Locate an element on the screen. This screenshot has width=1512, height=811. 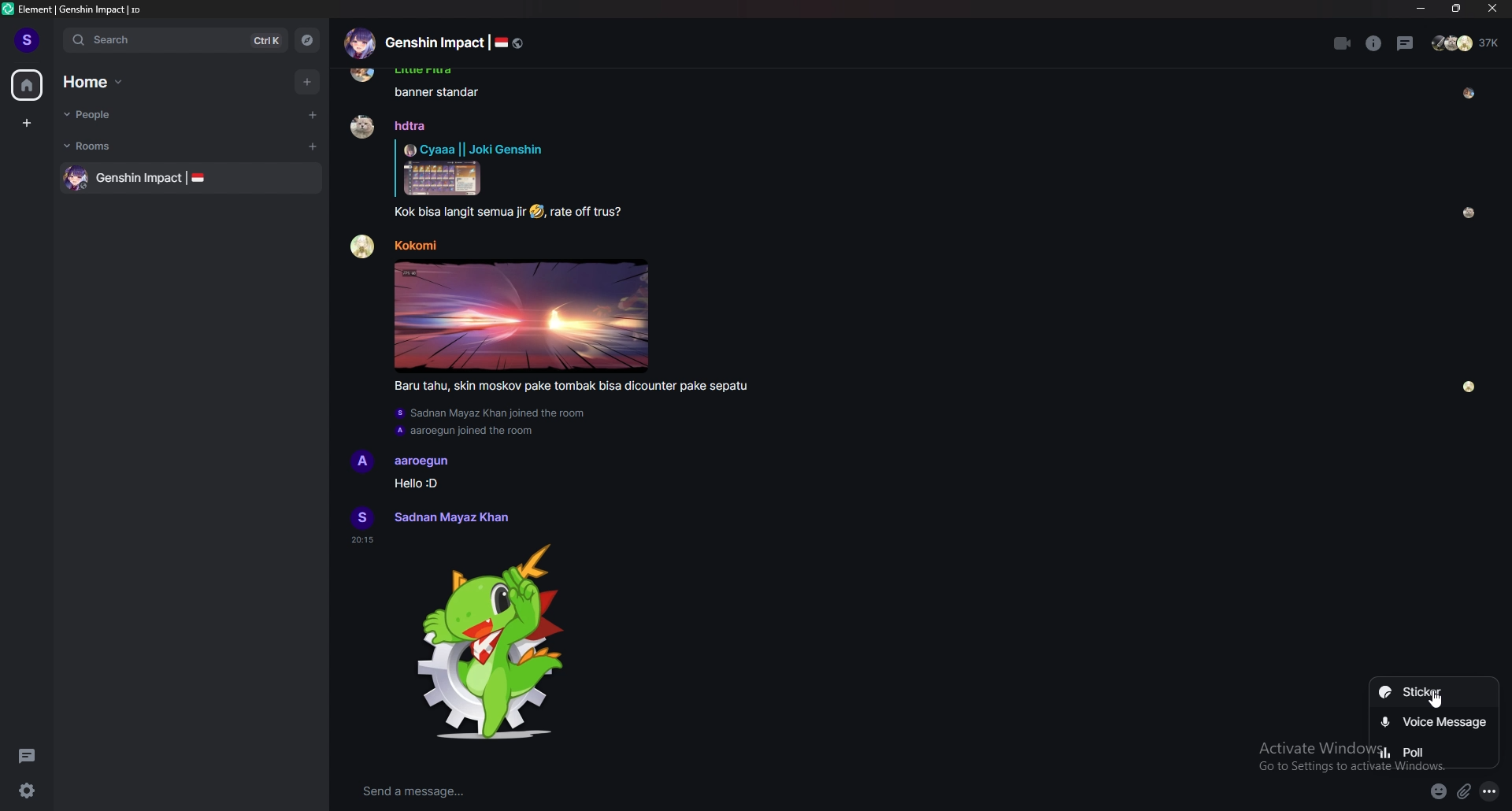
rooms is located at coordinates (106, 146).